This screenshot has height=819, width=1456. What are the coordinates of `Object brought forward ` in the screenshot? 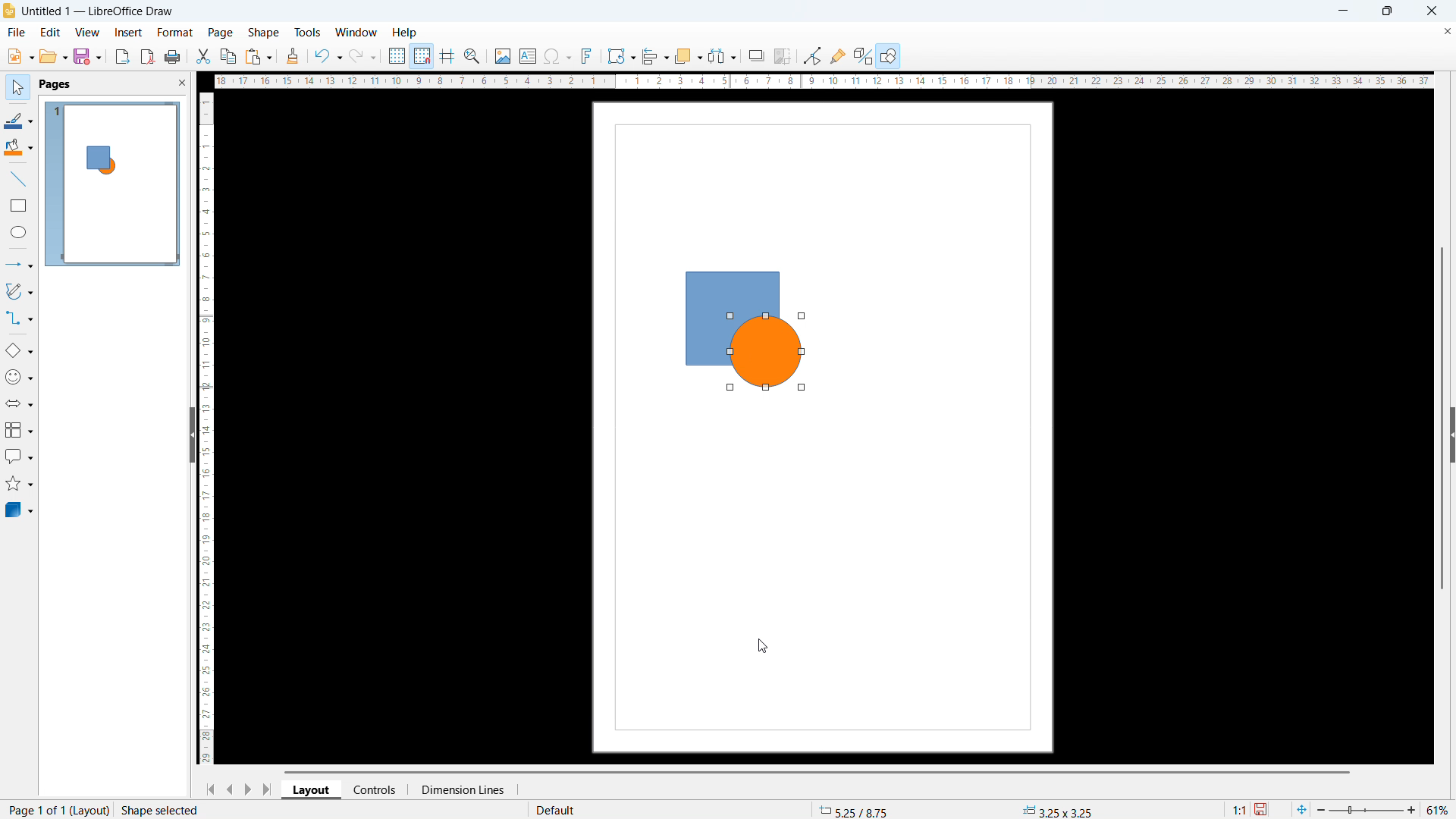 It's located at (741, 331).